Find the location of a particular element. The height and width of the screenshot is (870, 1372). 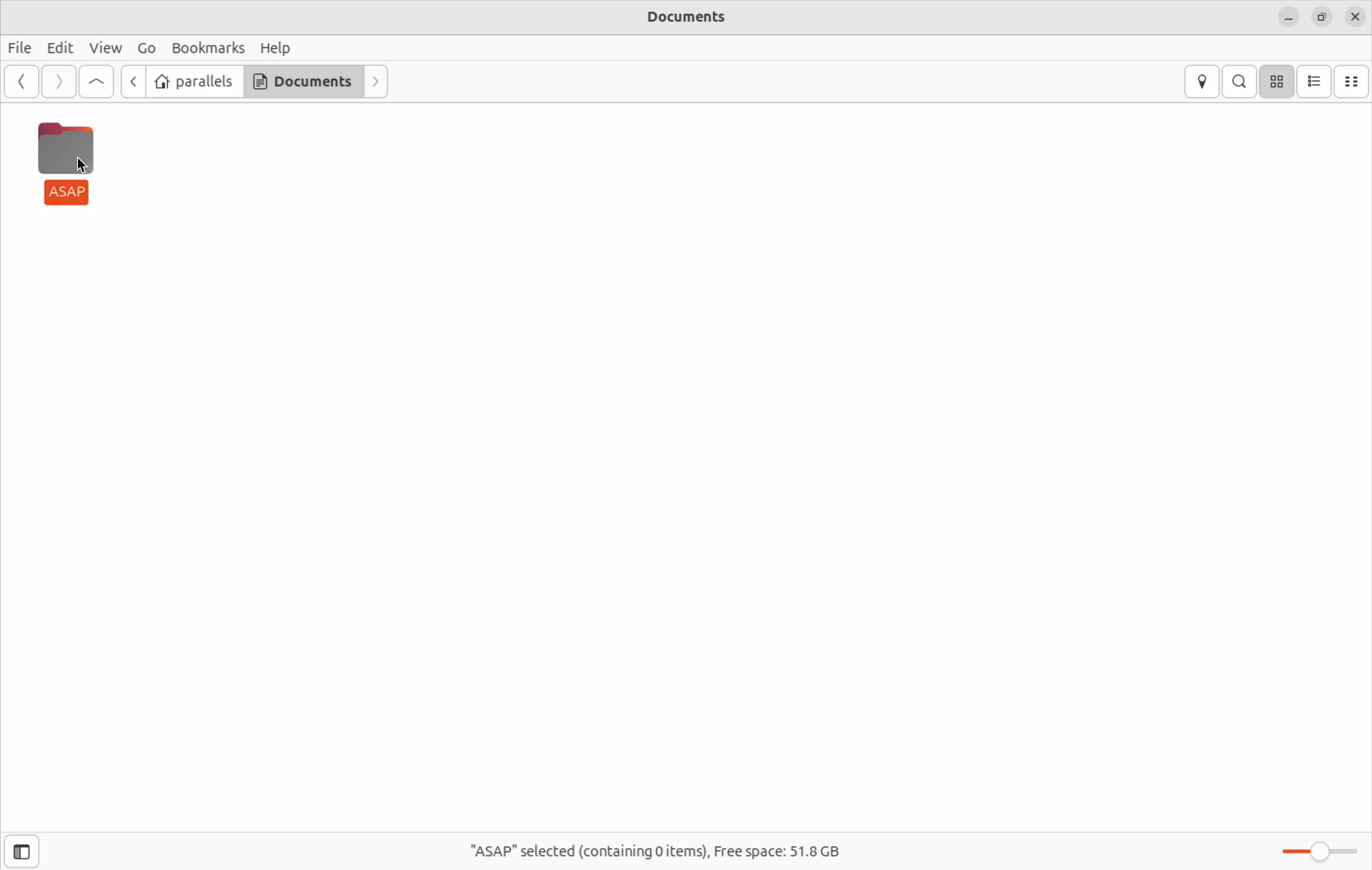

toggle bar is located at coordinates (1313, 847).